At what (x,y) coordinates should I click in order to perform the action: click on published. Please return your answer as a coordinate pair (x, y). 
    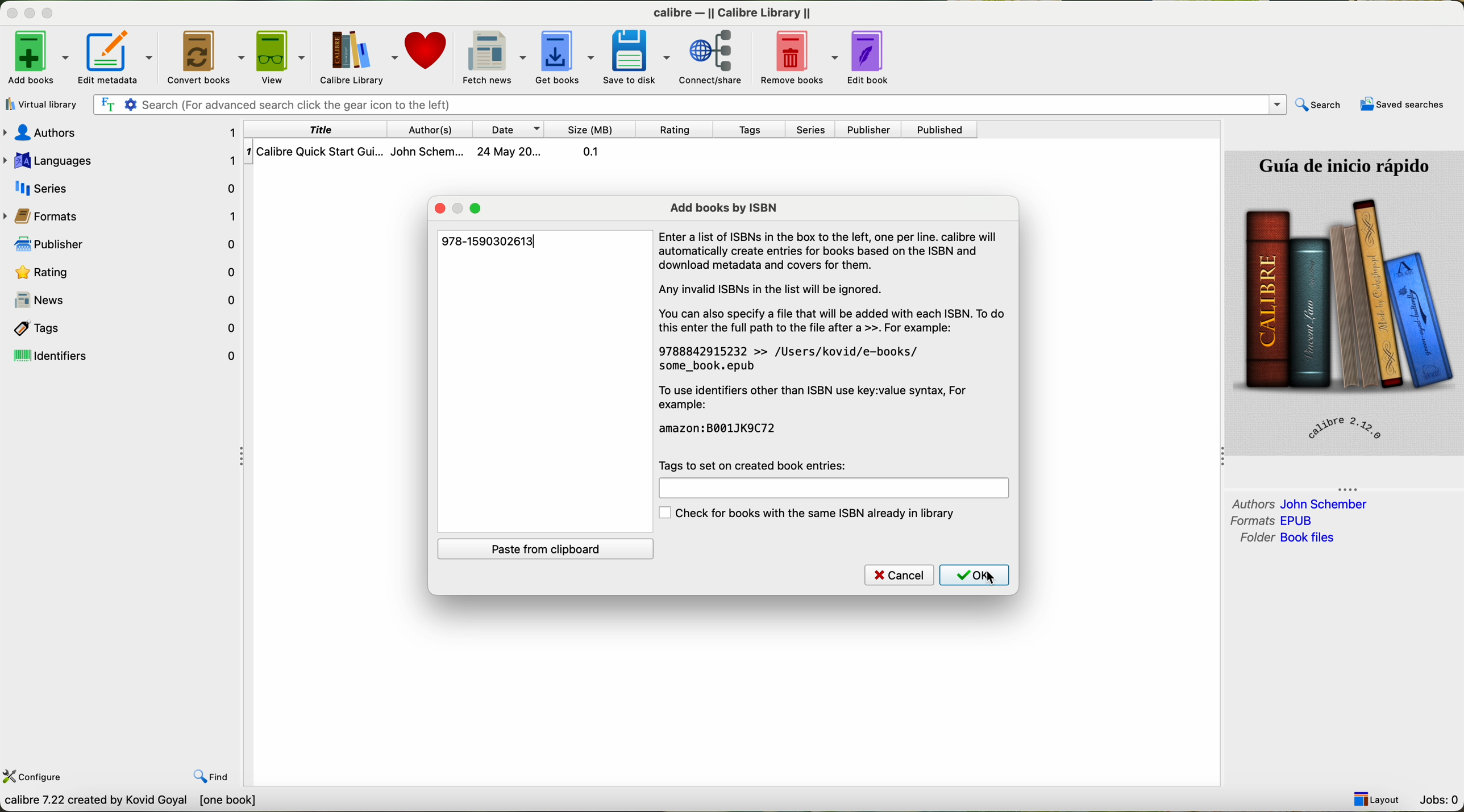
    Looking at the image, I should click on (942, 130).